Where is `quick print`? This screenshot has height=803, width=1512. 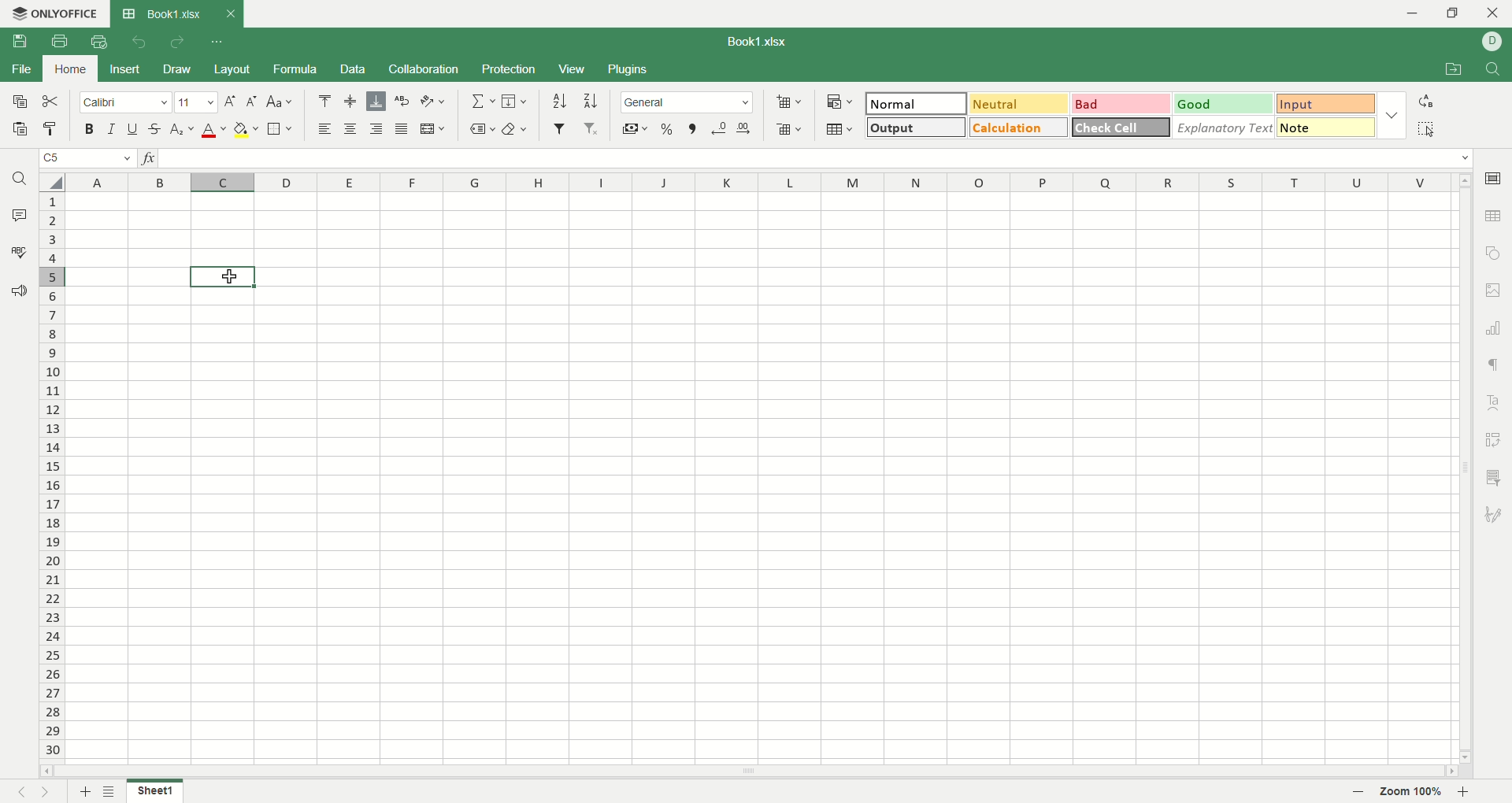
quick print is located at coordinates (98, 42).